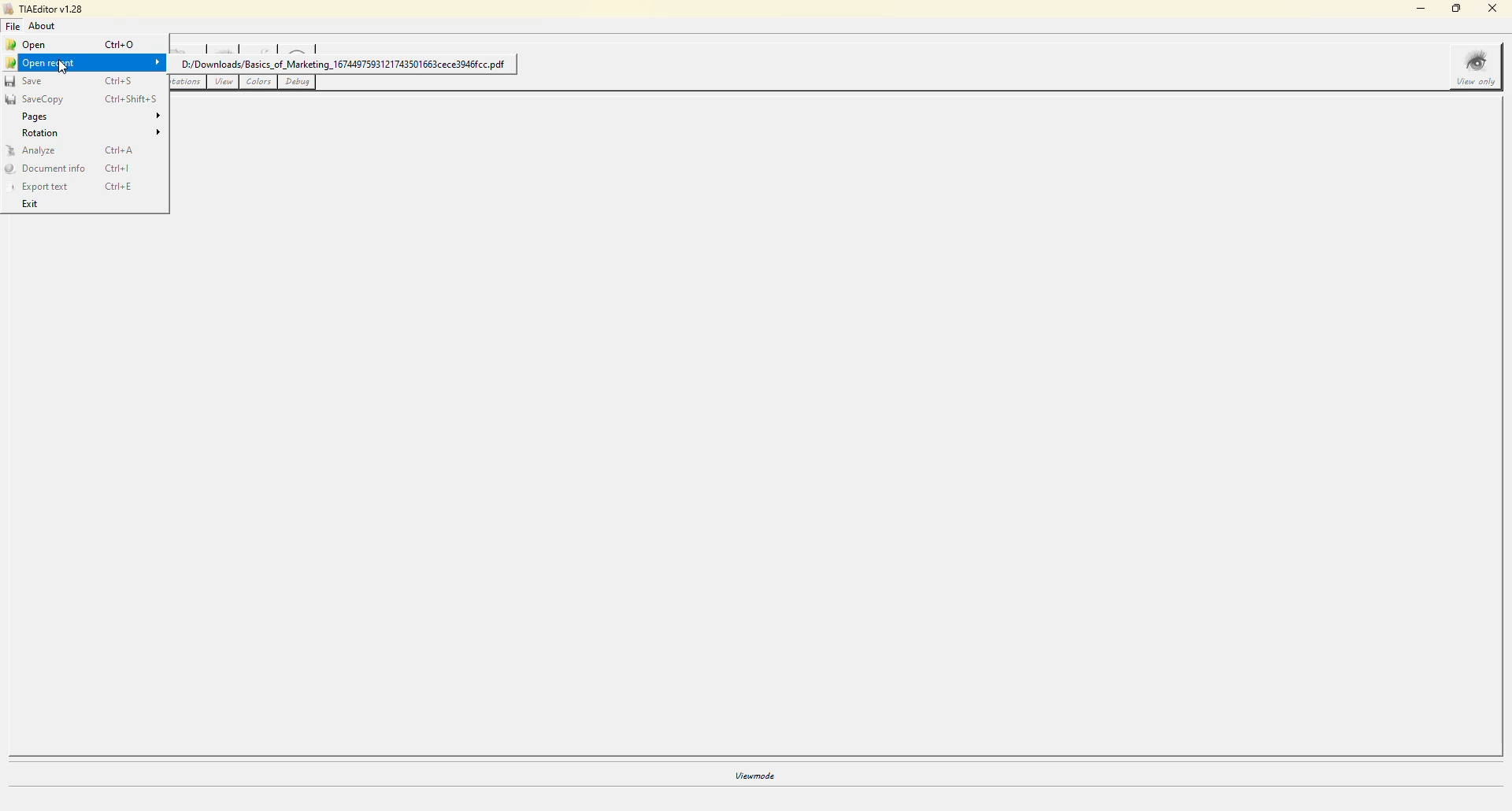 This screenshot has height=811, width=1512. Describe the element at coordinates (27, 45) in the screenshot. I see `open` at that location.